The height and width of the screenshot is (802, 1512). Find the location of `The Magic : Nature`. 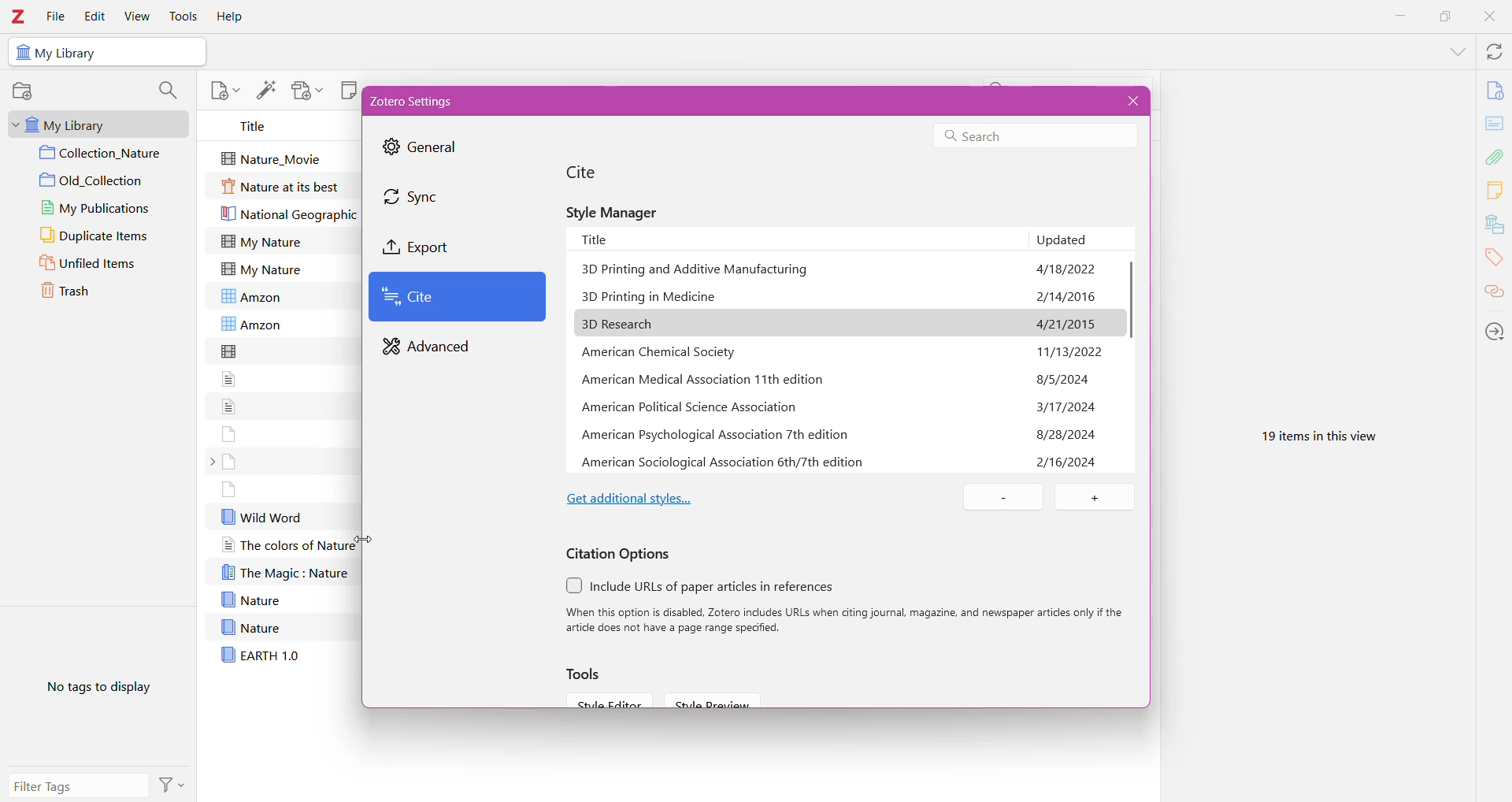

The Magic : Nature is located at coordinates (285, 572).